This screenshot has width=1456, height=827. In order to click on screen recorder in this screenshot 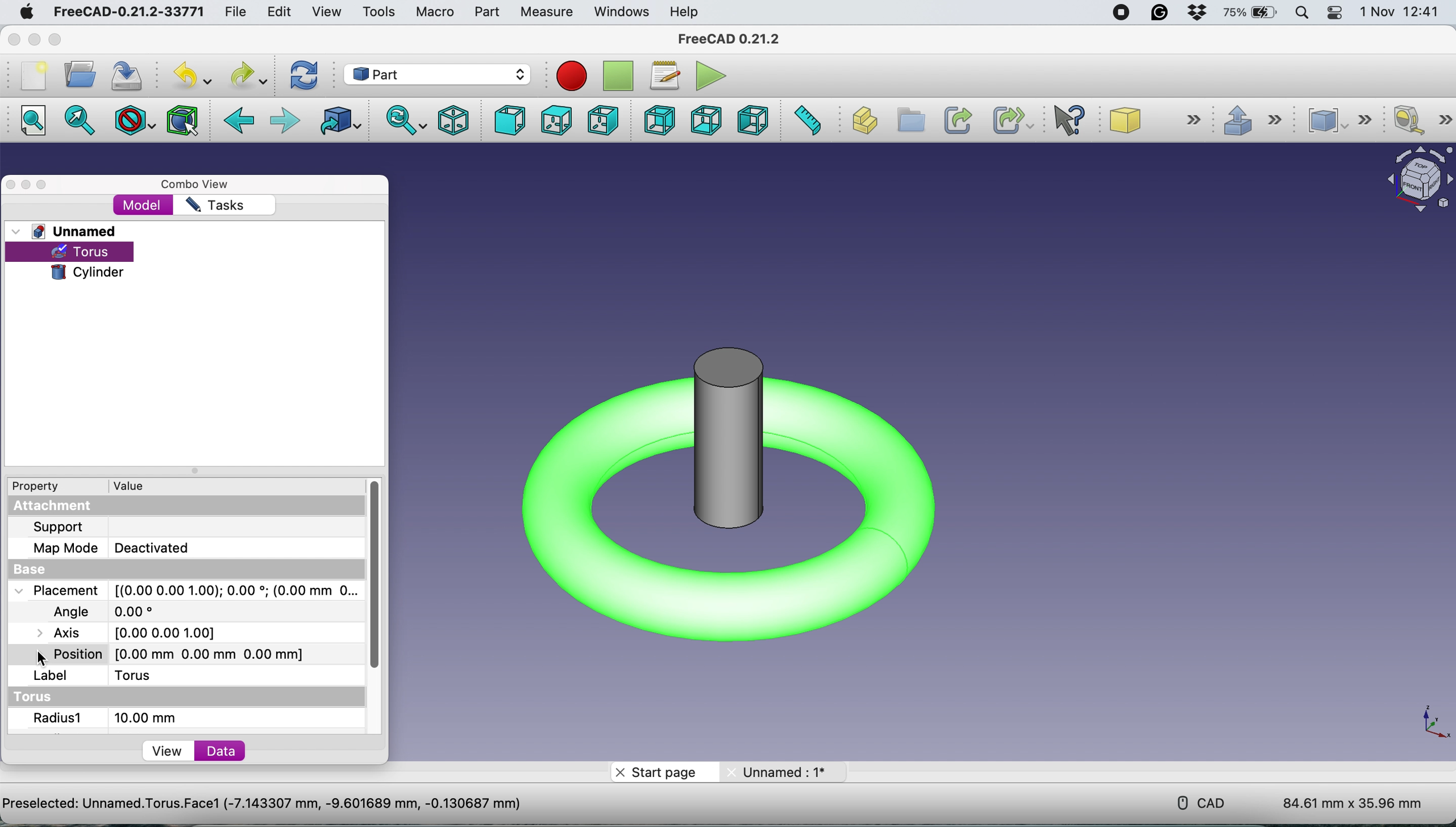, I will do `click(1121, 13)`.